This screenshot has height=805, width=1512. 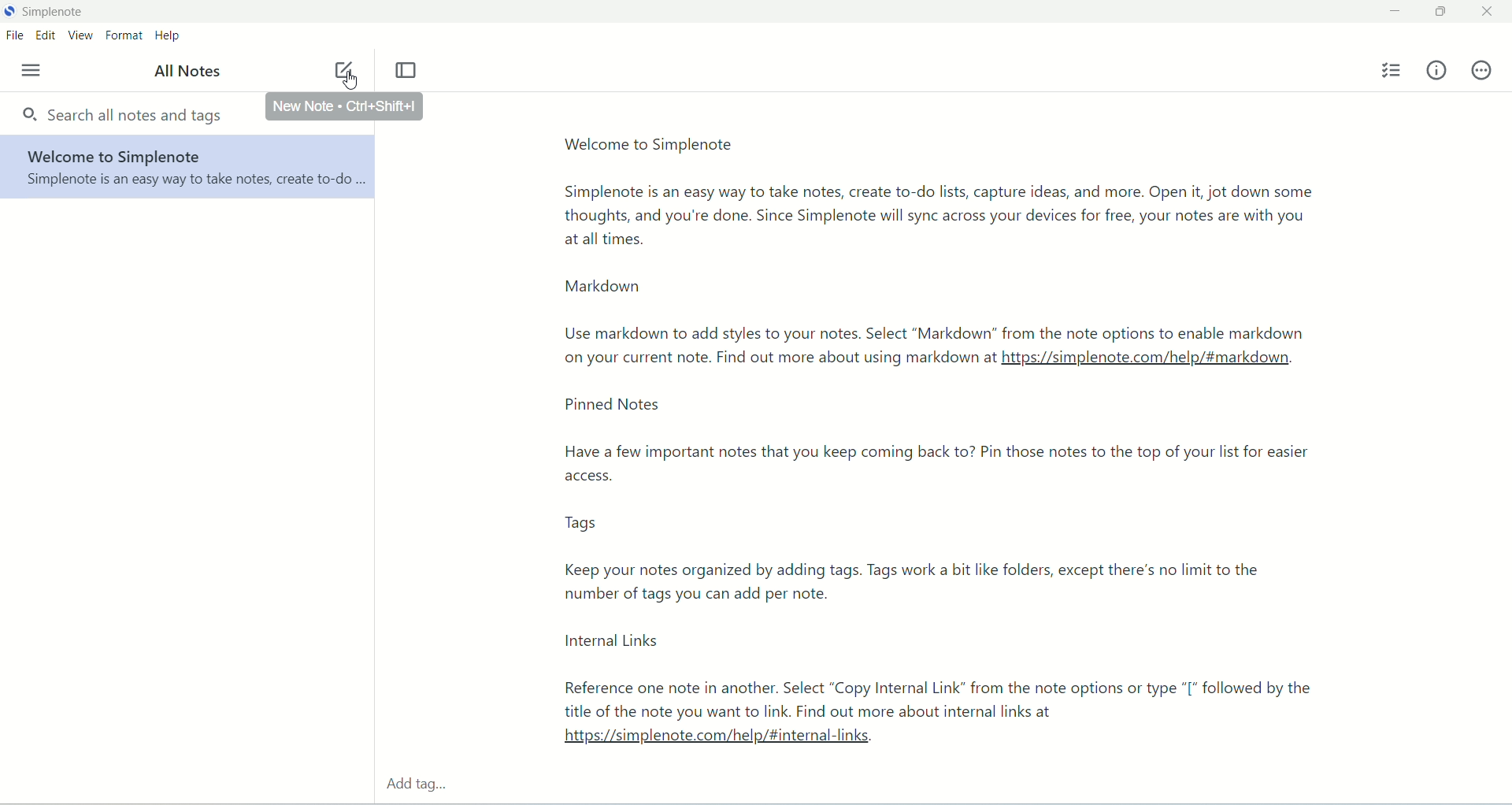 What do you see at coordinates (46, 35) in the screenshot?
I see `edit` at bounding box center [46, 35].